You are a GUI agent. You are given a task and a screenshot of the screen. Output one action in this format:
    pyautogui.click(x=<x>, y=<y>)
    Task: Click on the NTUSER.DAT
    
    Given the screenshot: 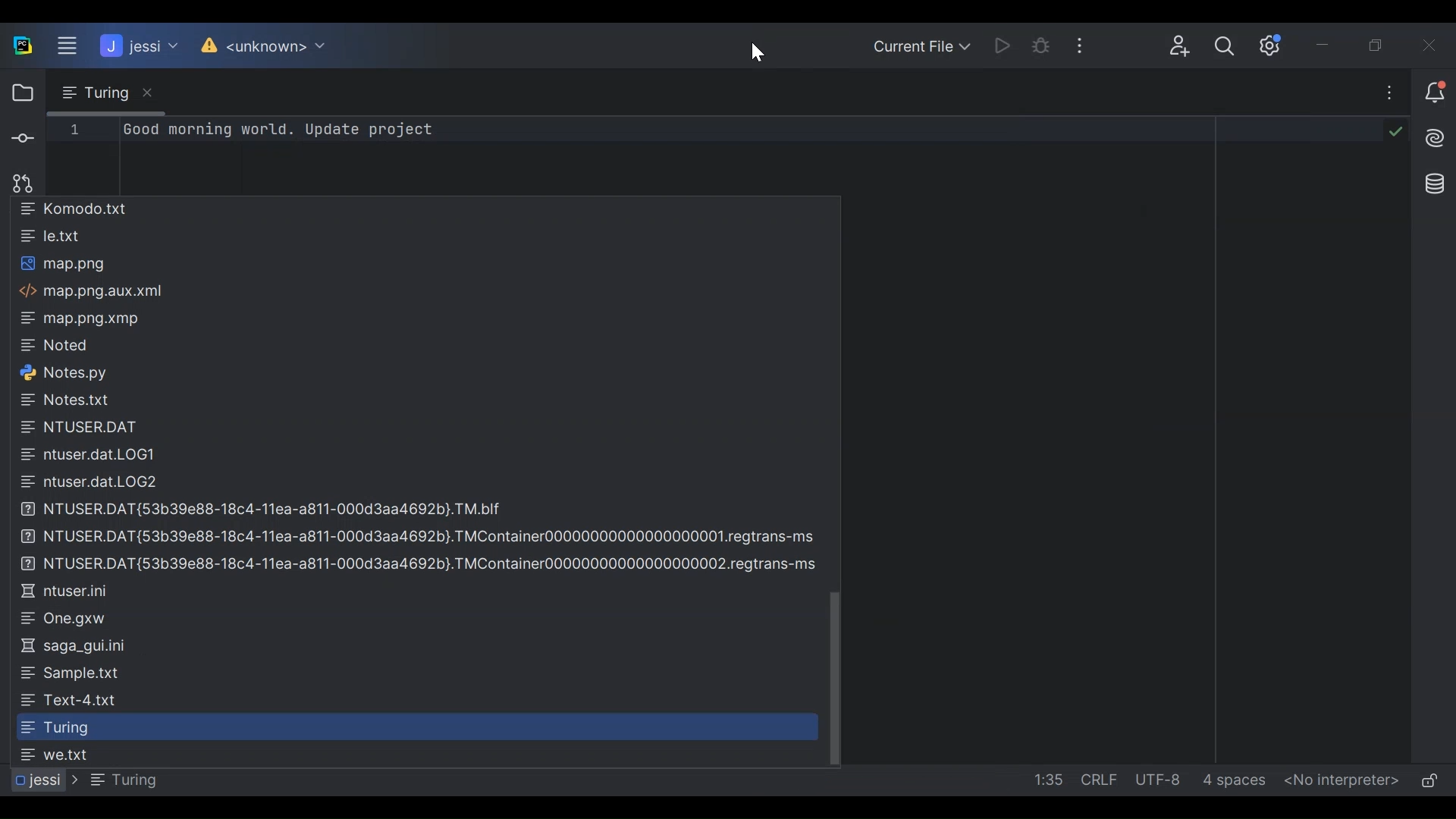 What is the action you would take?
    pyautogui.click(x=88, y=426)
    